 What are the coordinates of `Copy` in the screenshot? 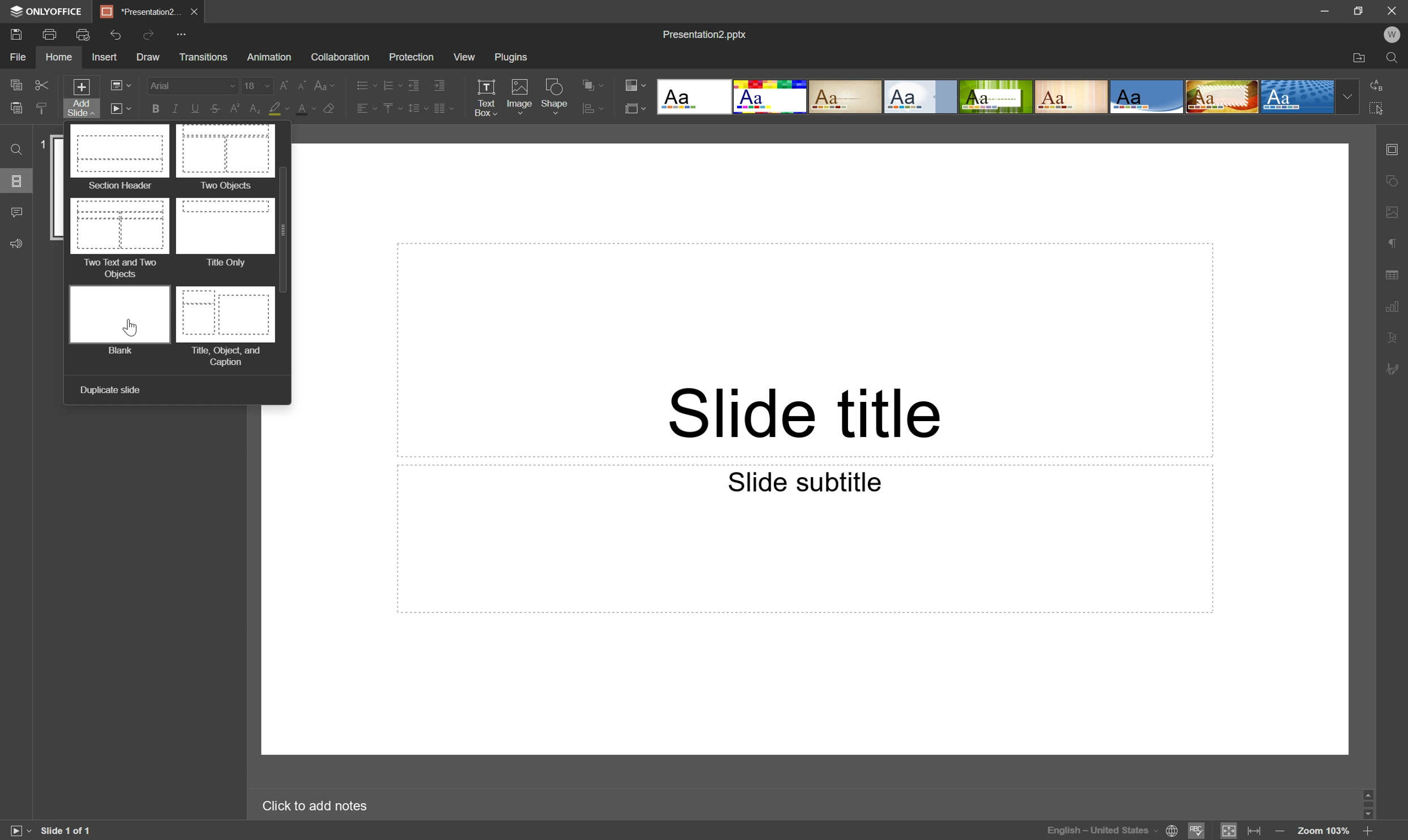 It's located at (18, 84).